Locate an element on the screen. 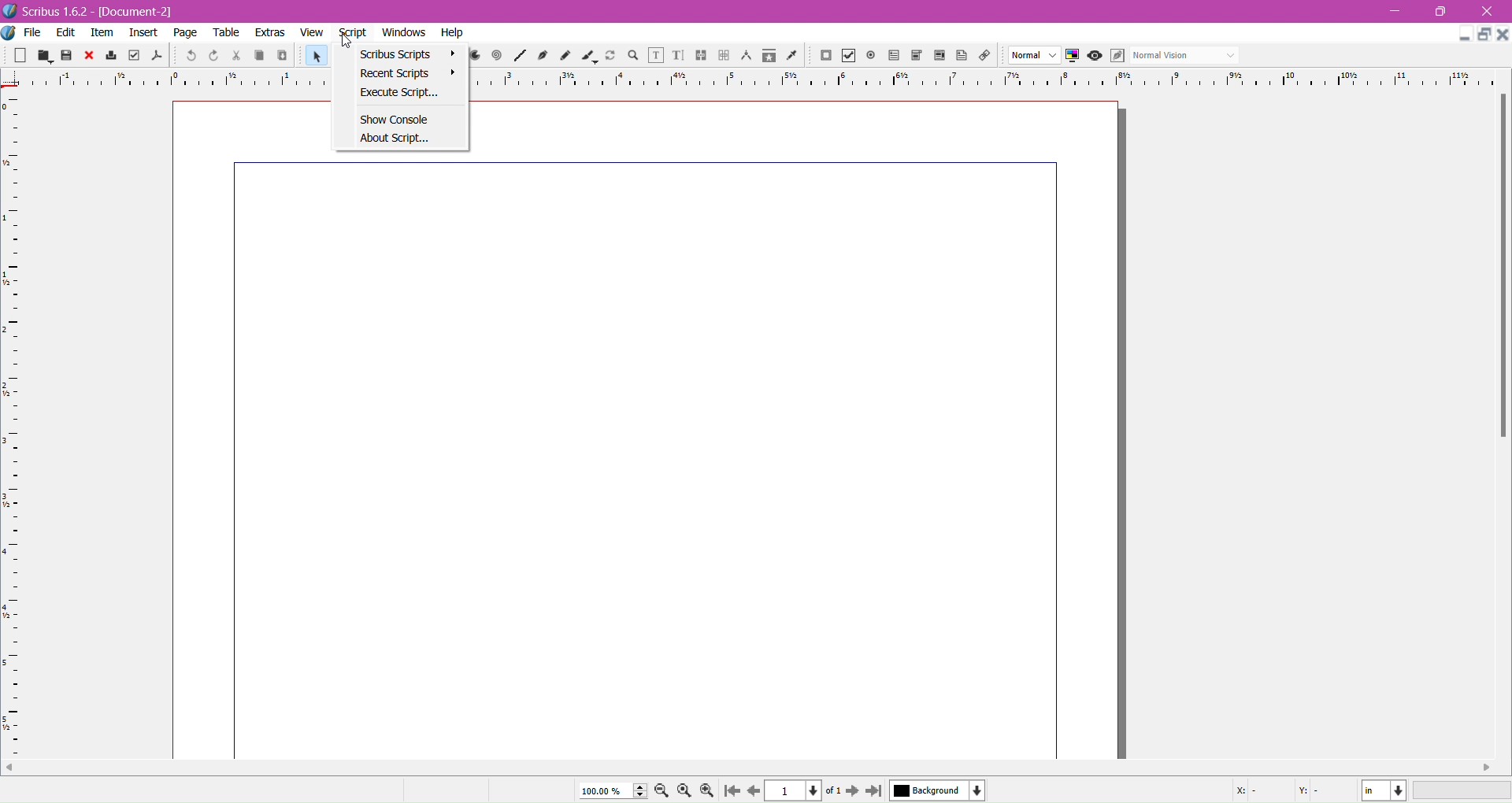  Zoom to 100% is located at coordinates (684, 791).